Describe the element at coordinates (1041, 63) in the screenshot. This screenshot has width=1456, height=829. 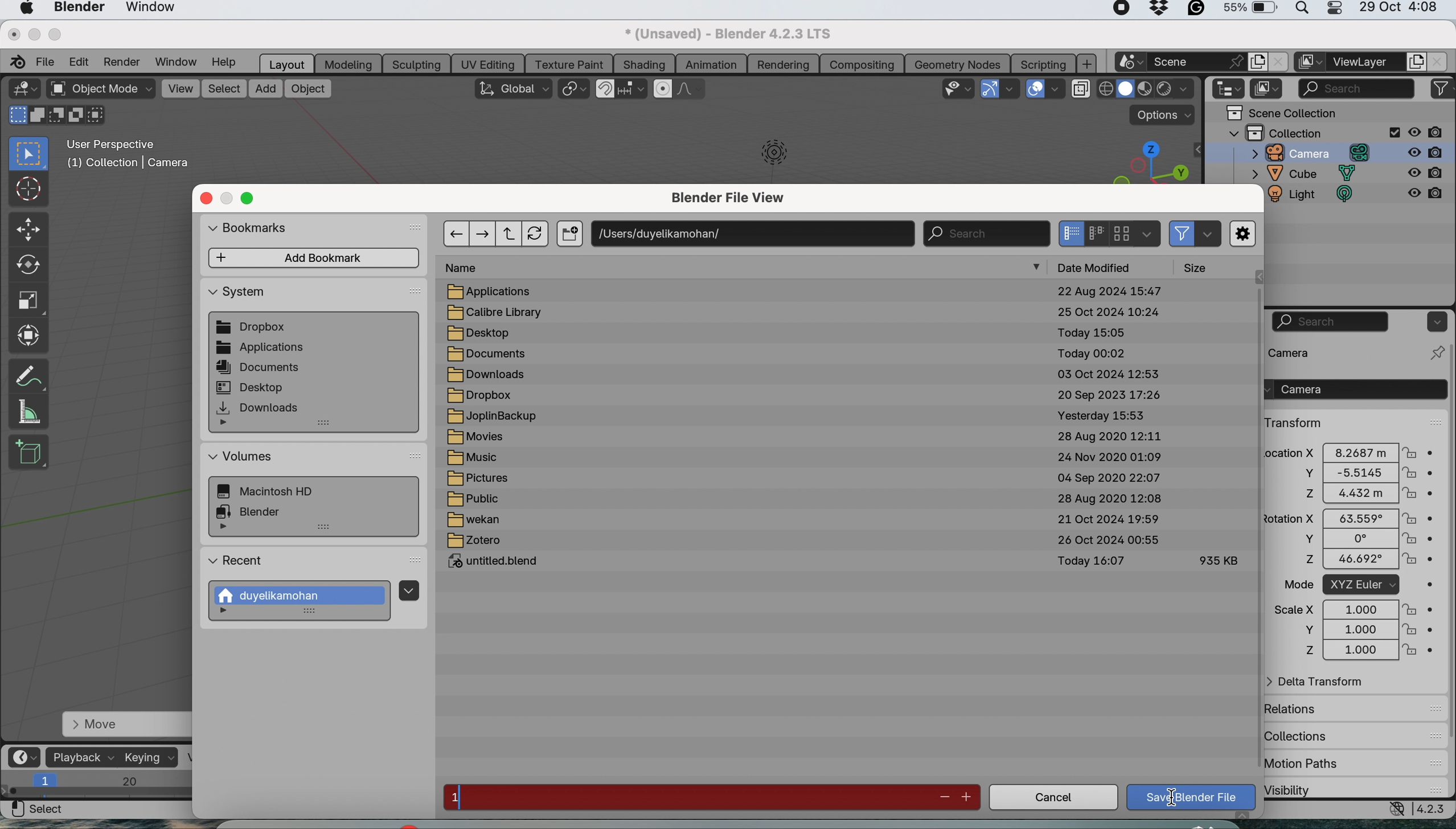
I see `scripting` at that location.